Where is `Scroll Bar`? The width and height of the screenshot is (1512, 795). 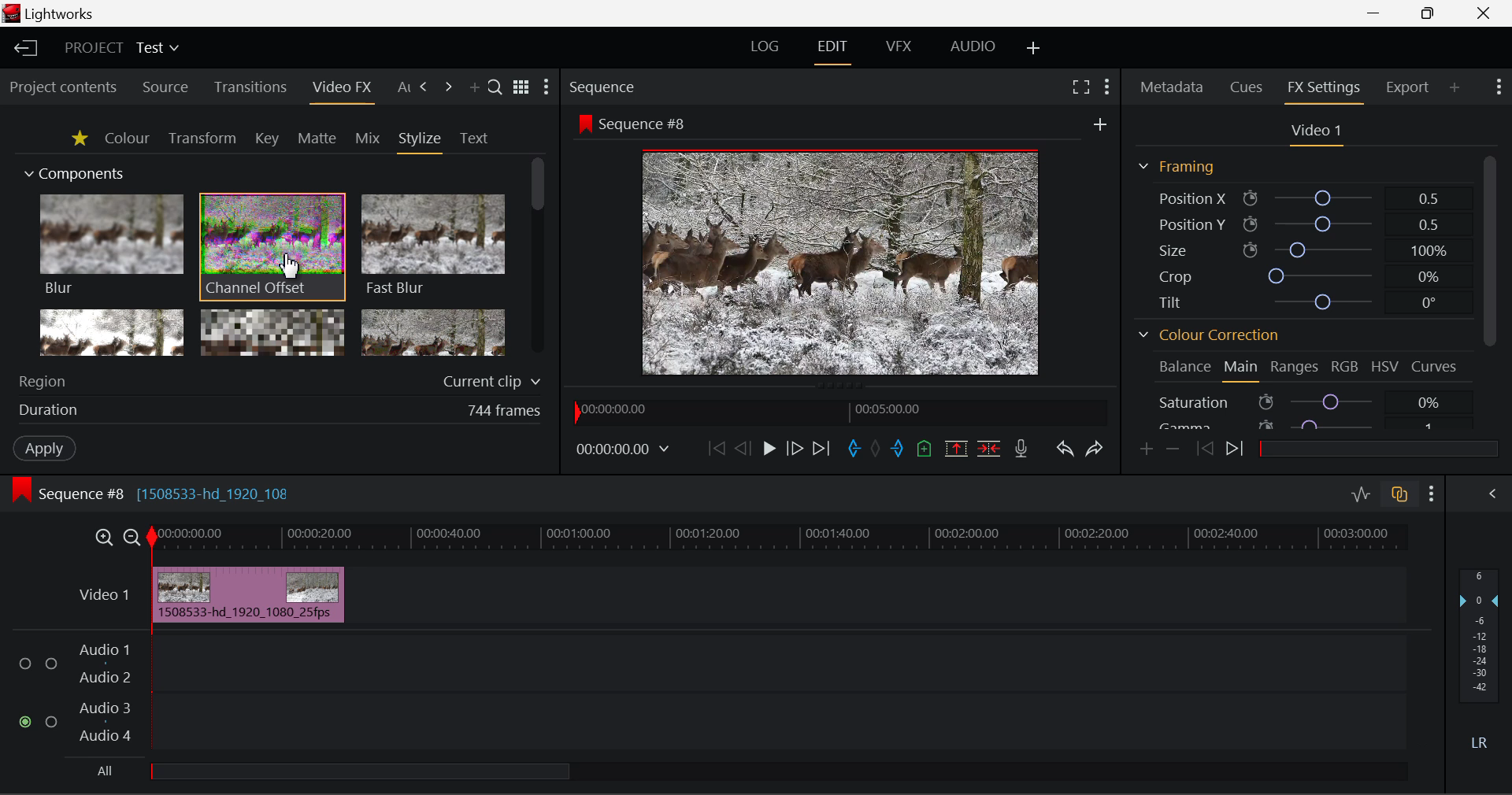
Scroll Bar is located at coordinates (1489, 294).